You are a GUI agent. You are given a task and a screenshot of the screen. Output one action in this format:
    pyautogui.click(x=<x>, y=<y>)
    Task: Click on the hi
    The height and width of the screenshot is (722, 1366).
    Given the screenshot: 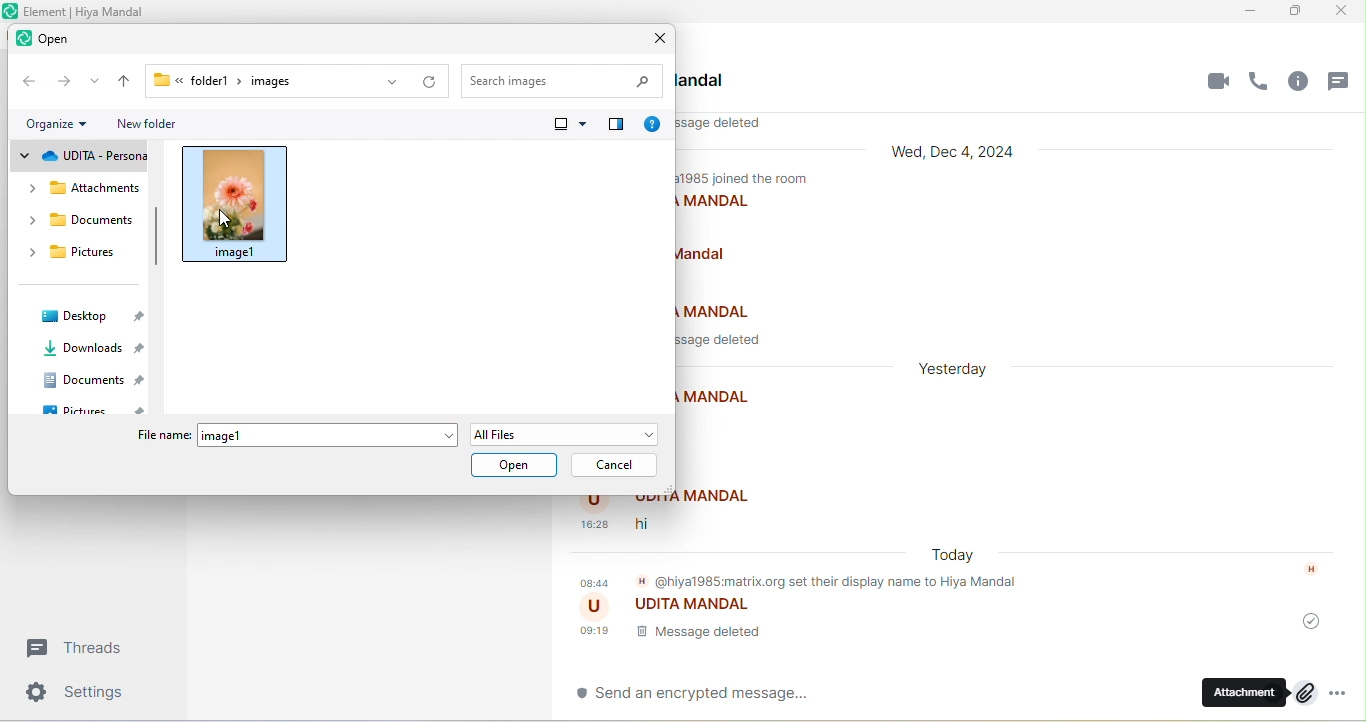 What is the action you would take?
    pyautogui.click(x=653, y=520)
    